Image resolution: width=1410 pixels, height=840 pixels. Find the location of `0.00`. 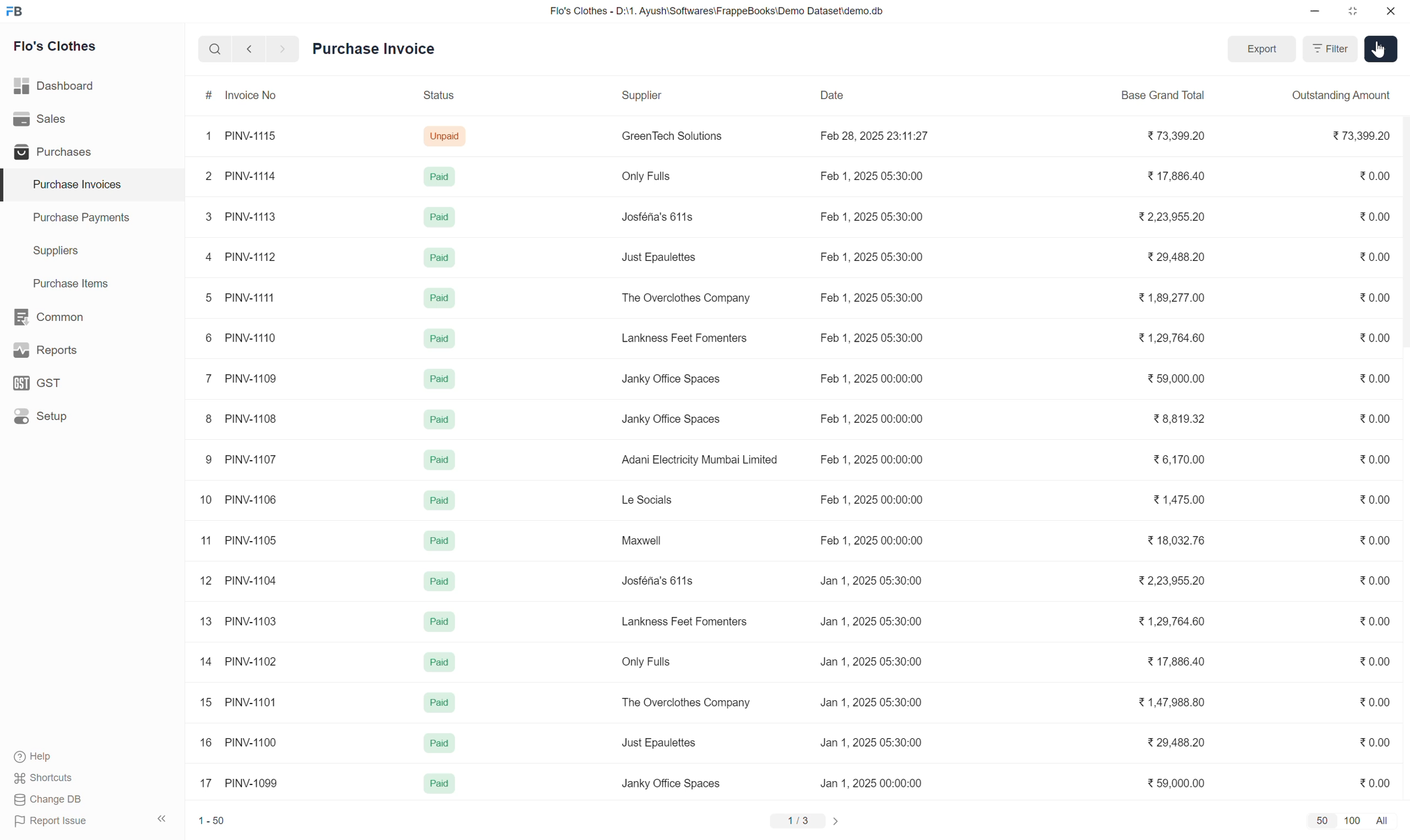

0.00 is located at coordinates (1377, 173).